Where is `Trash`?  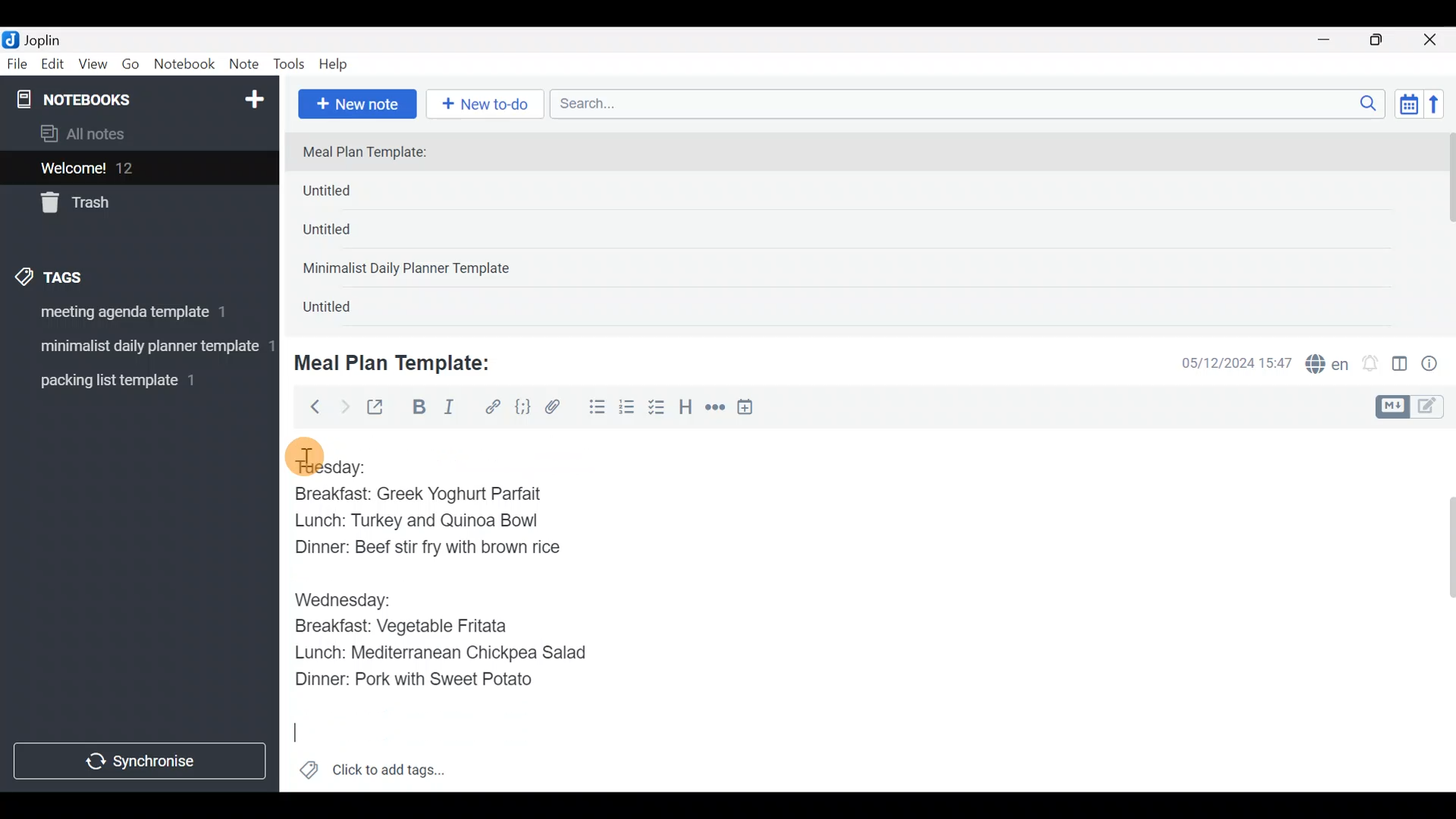 Trash is located at coordinates (130, 204).